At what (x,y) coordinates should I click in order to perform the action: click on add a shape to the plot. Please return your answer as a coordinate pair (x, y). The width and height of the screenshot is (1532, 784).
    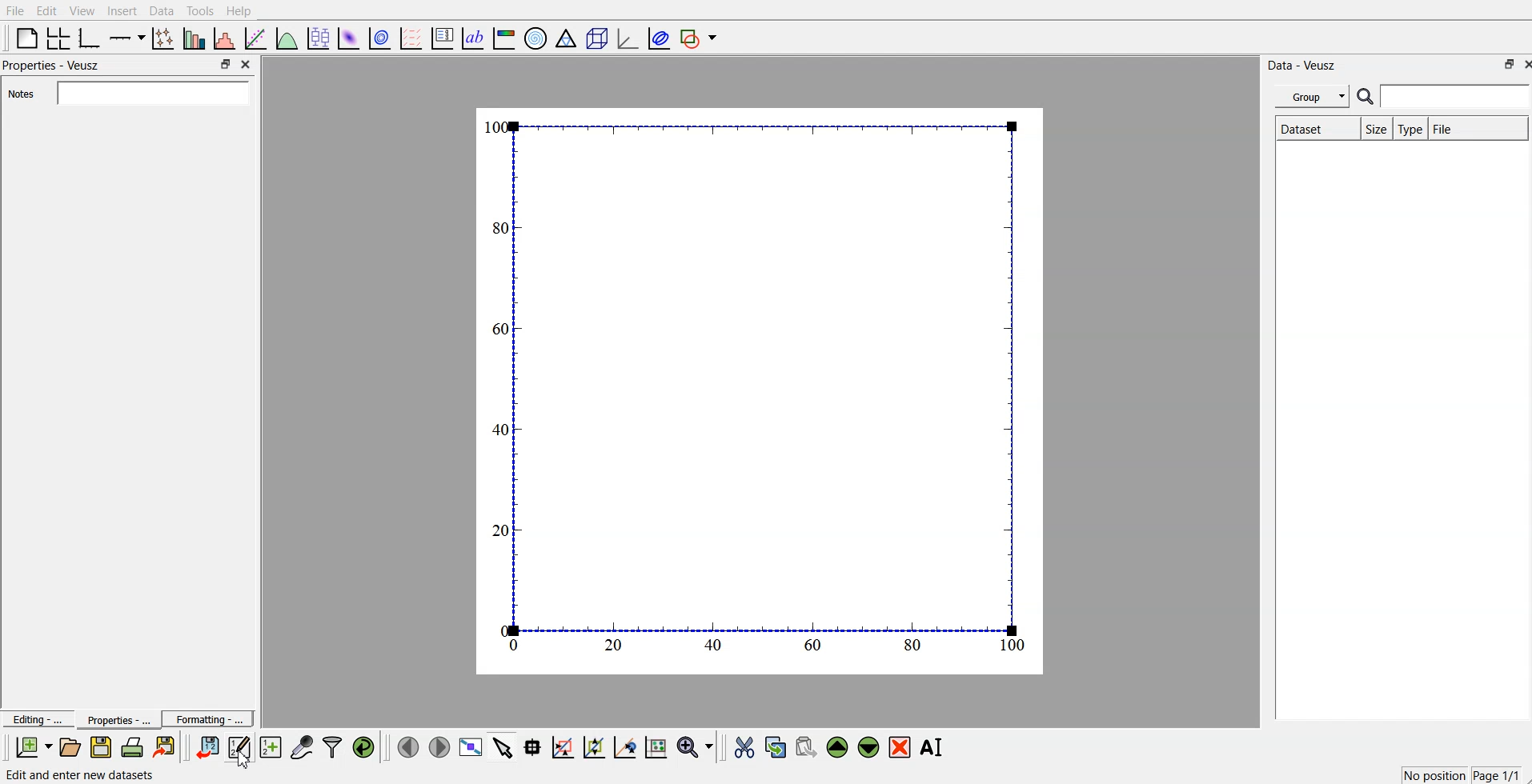
    Looking at the image, I should click on (700, 38).